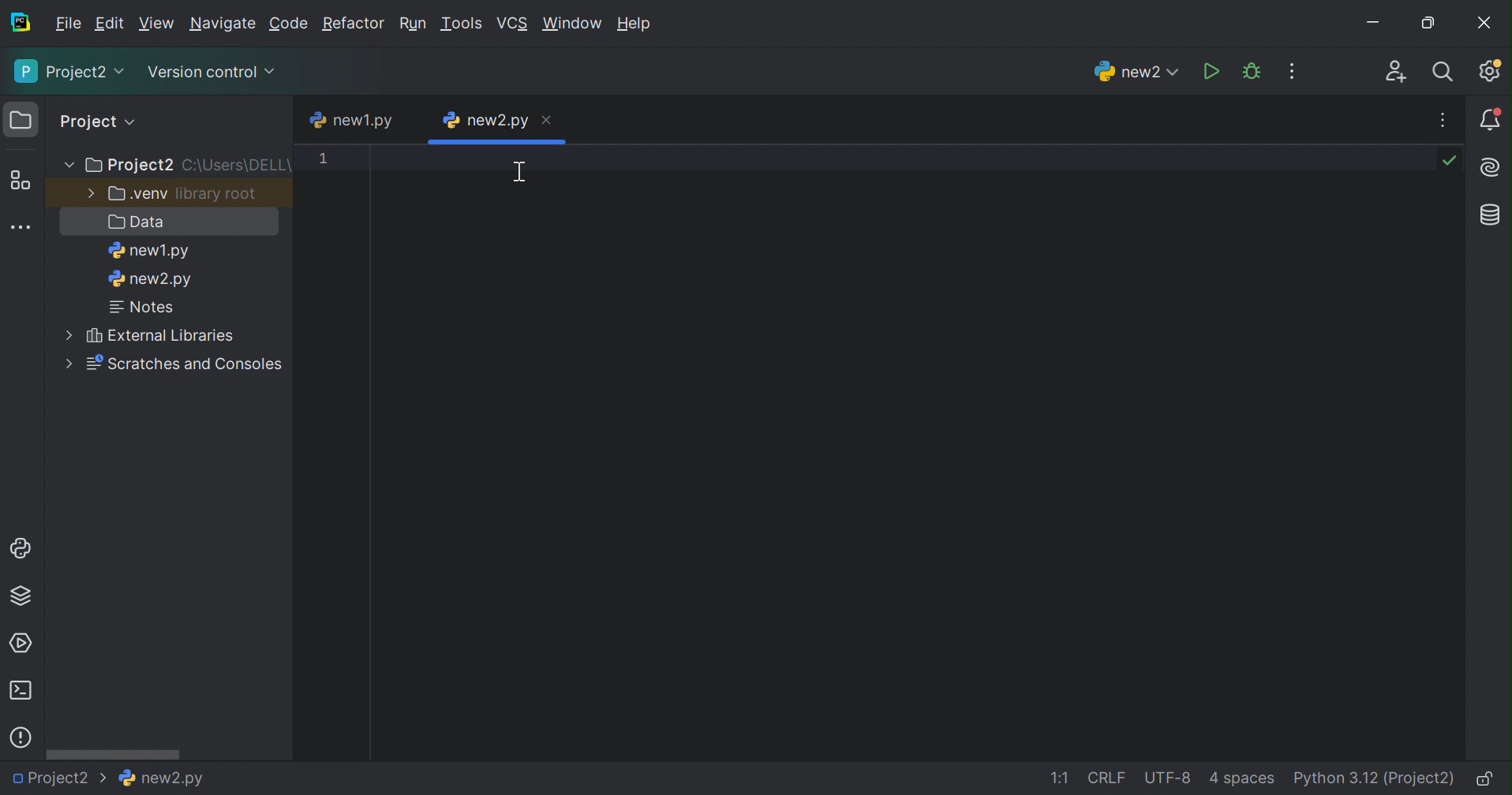  Describe the element at coordinates (1294, 70) in the screenshot. I see `More actions` at that location.